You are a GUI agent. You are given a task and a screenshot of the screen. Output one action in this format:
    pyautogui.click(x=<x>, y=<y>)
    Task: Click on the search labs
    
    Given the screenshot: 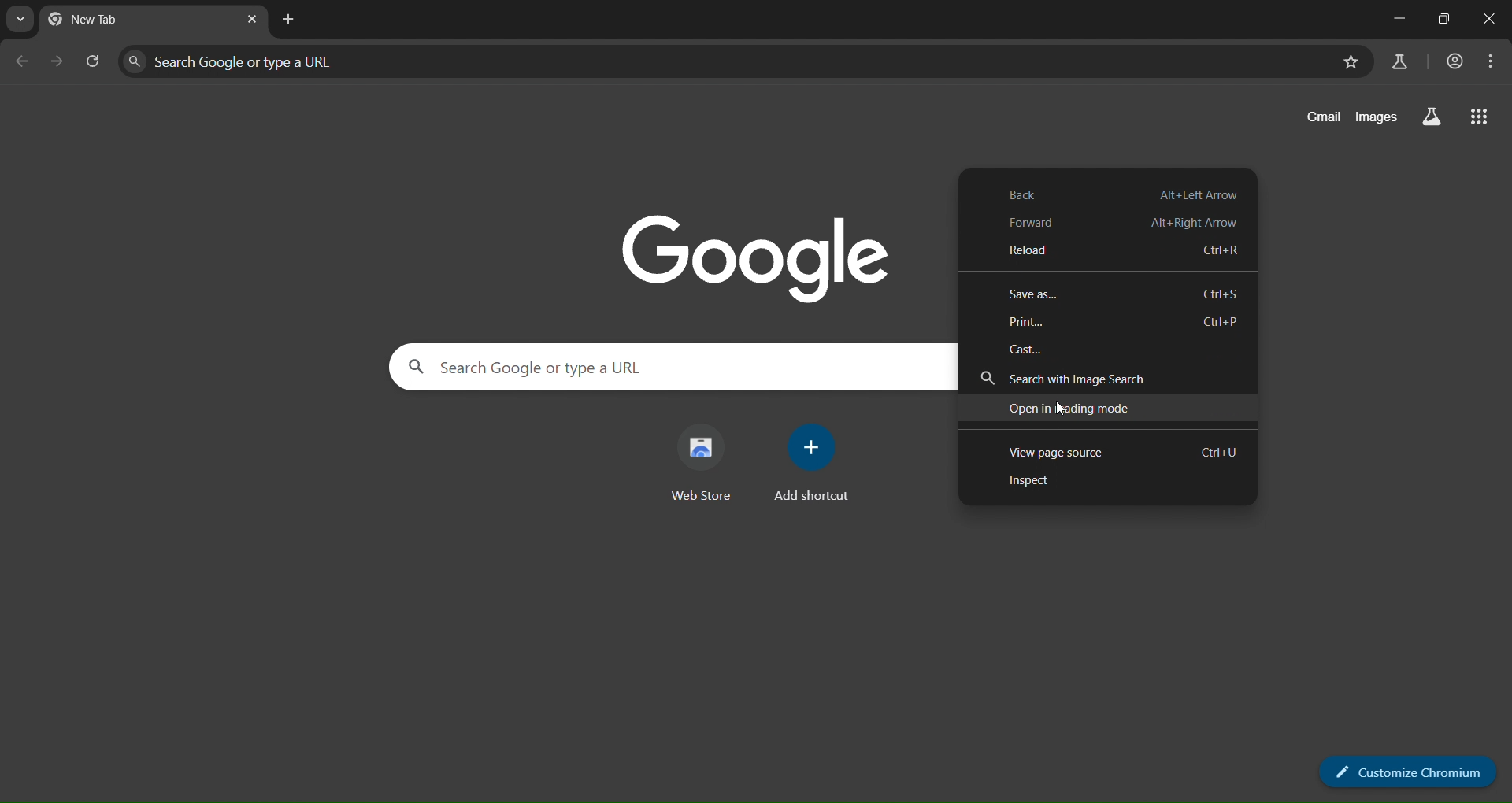 What is the action you would take?
    pyautogui.click(x=1402, y=62)
    